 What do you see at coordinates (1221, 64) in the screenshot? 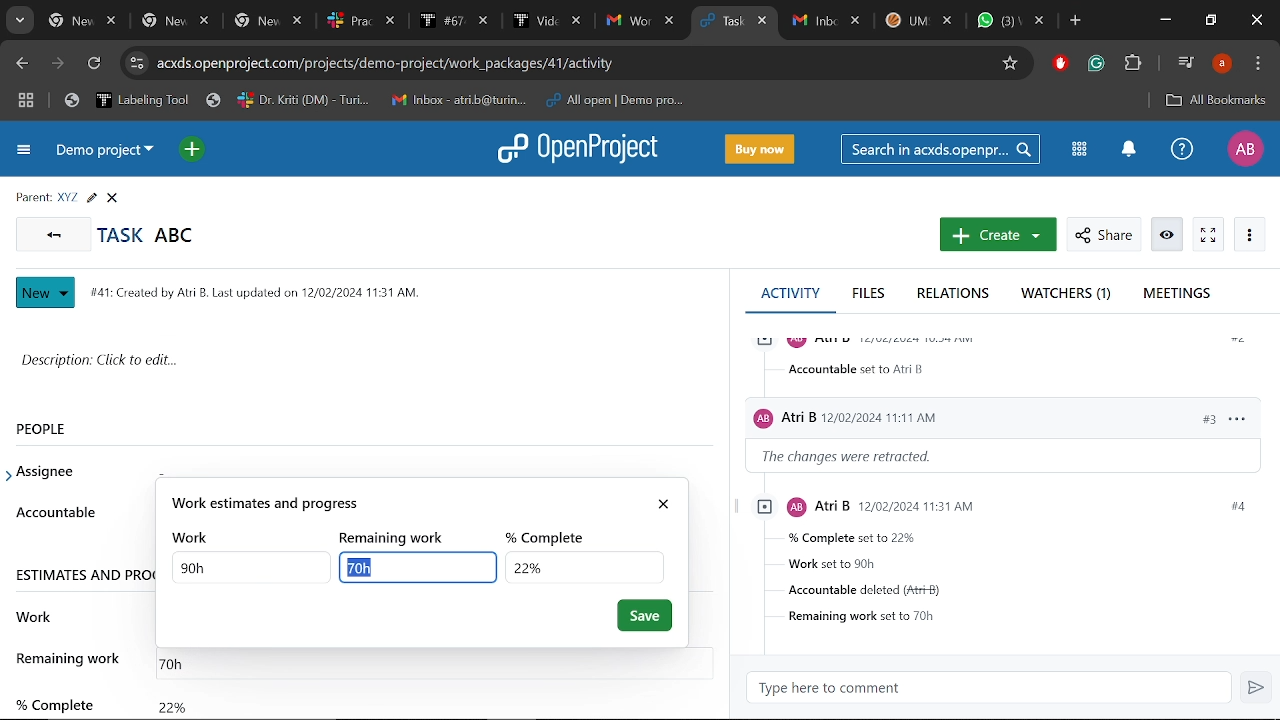
I see `Profile` at bounding box center [1221, 64].